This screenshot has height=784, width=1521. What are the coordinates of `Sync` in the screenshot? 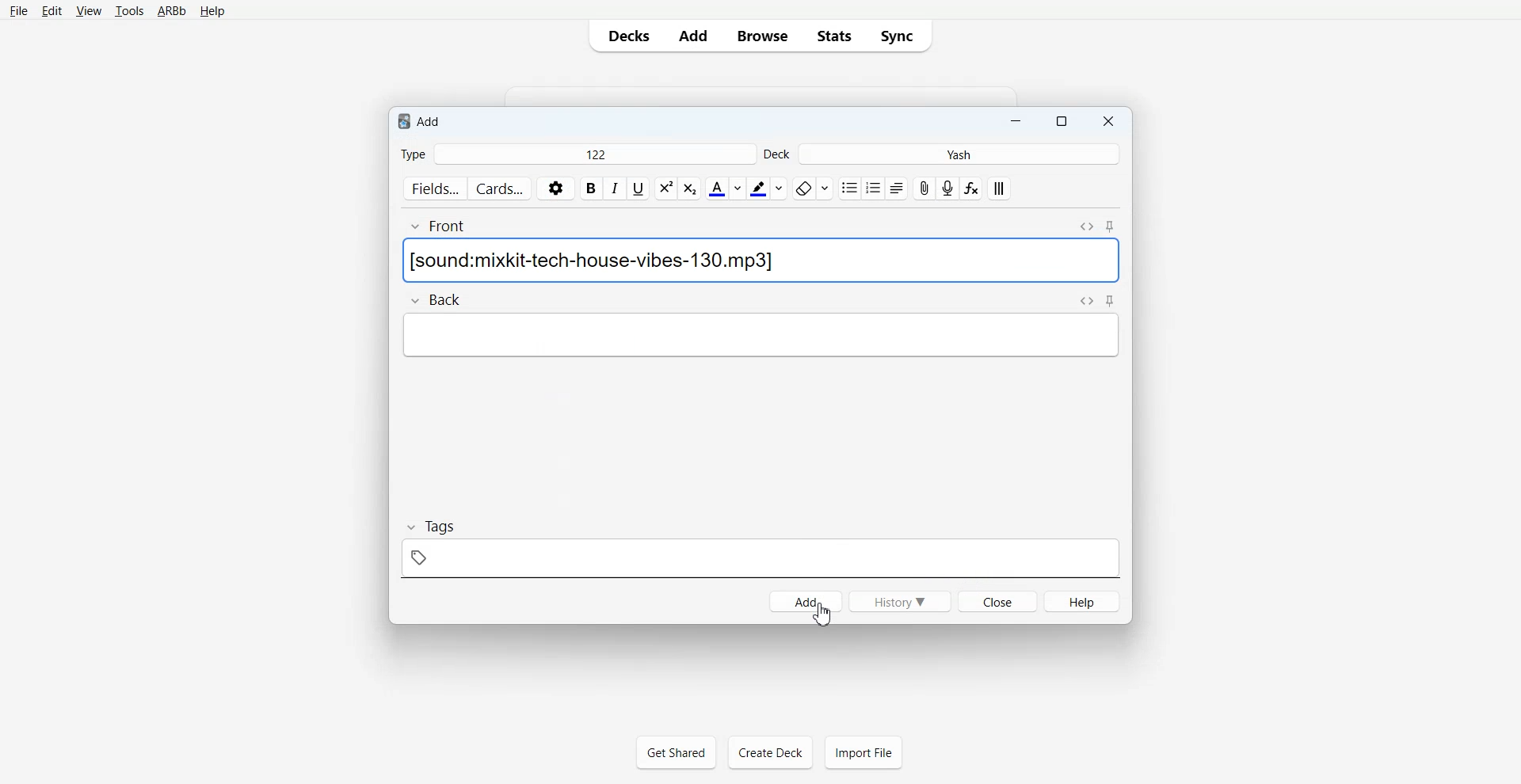 It's located at (901, 36).